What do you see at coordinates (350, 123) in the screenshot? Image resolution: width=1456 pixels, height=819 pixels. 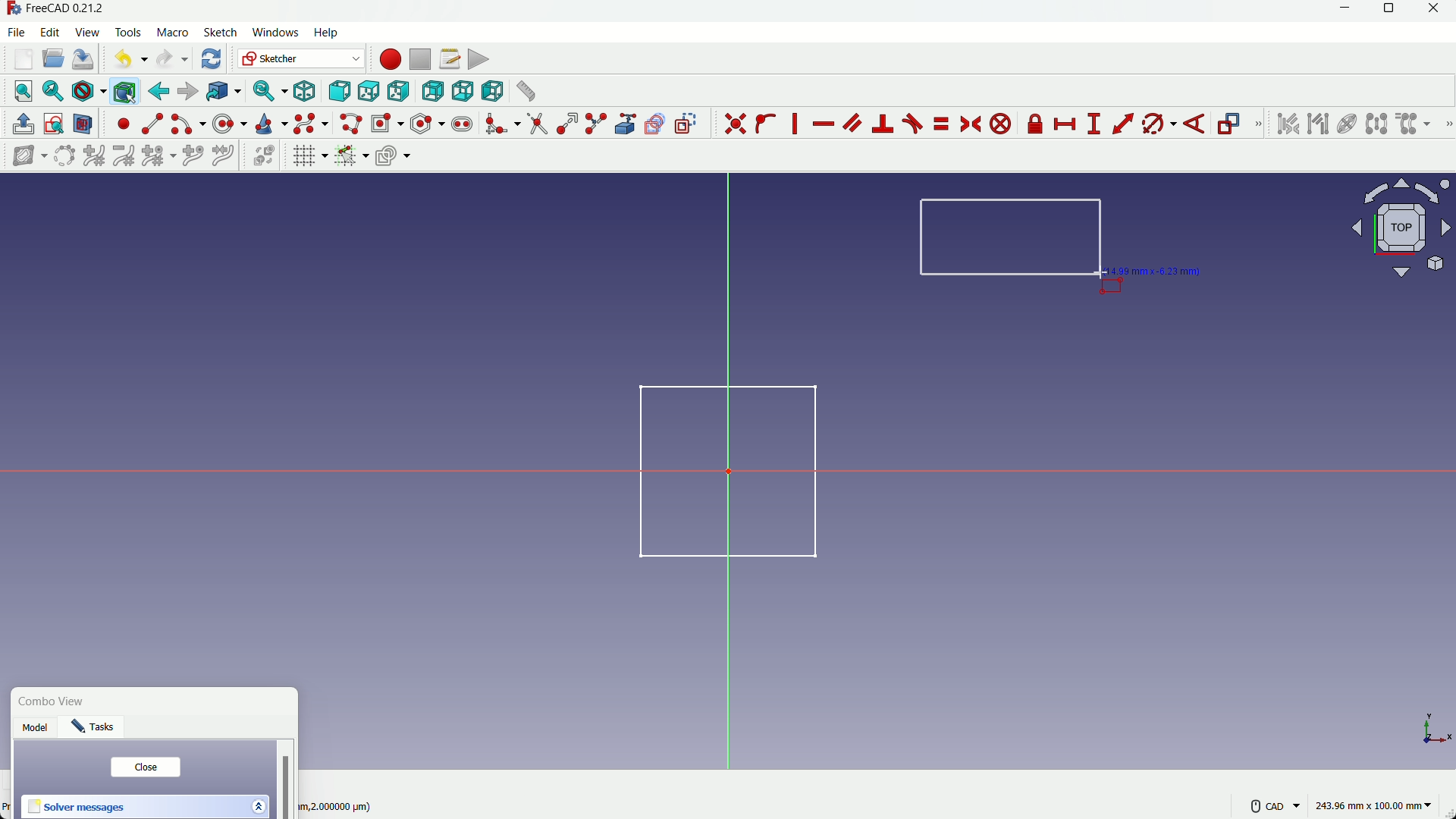 I see `create polyline` at bounding box center [350, 123].